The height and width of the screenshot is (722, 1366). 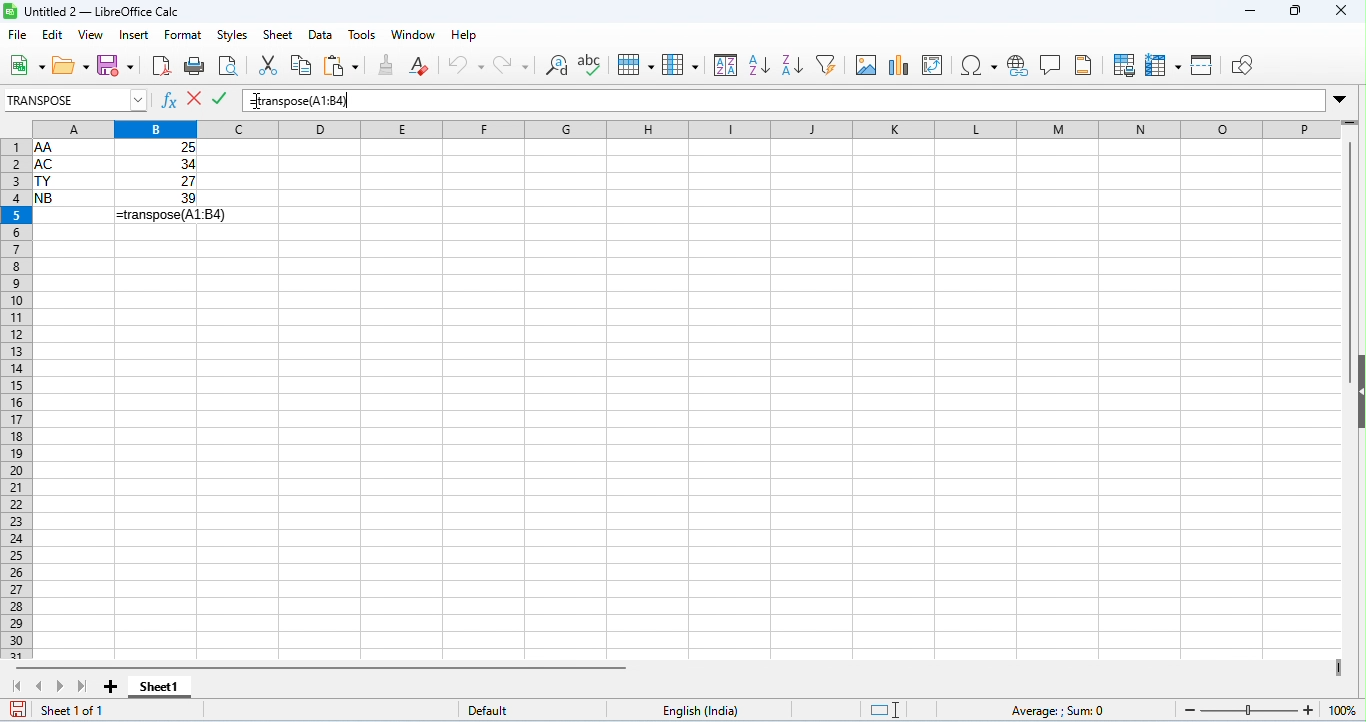 I want to click on paste, so click(x=342, y=65).